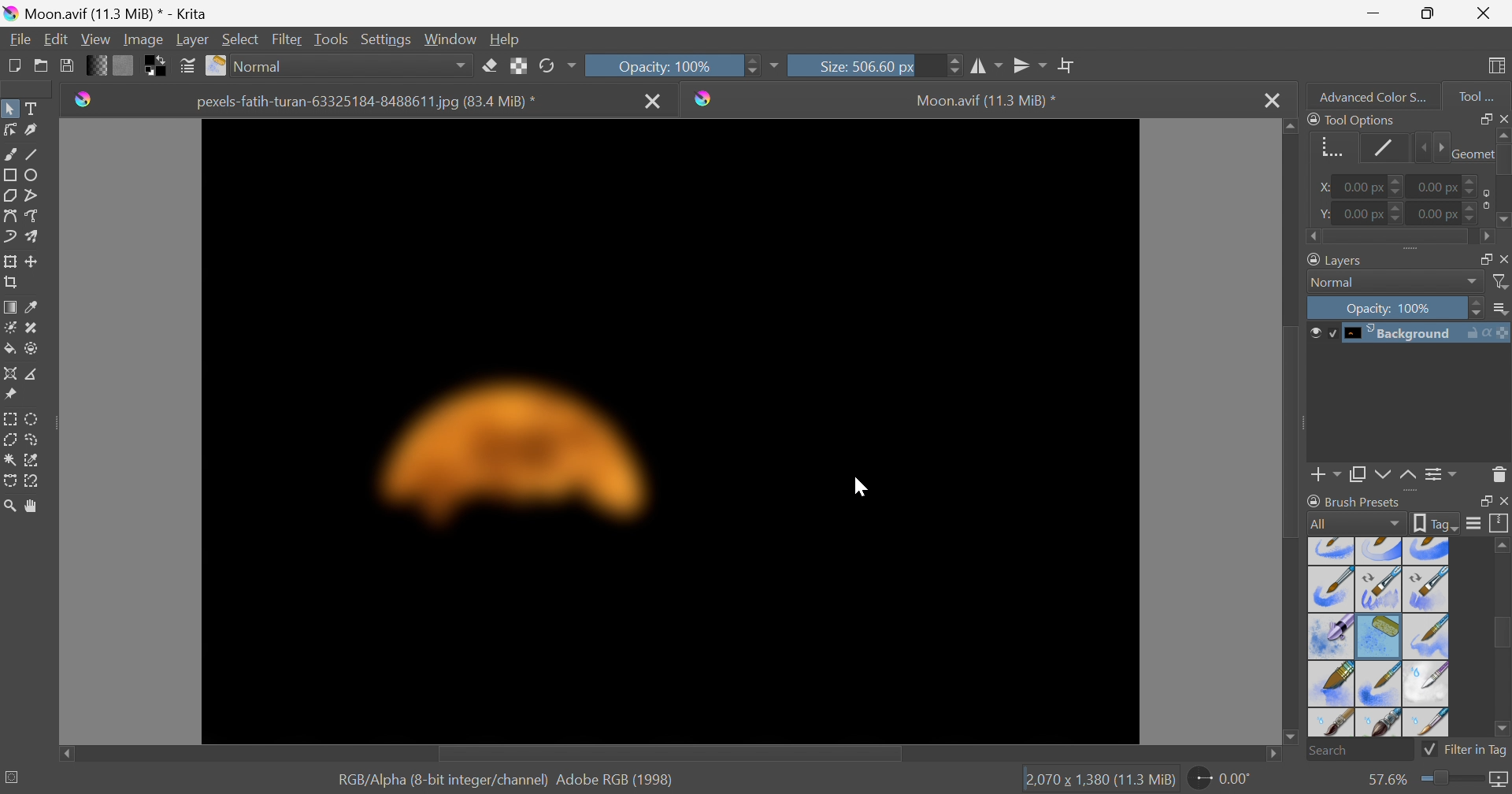 This screenshot has height=794, width=1512. I want to click on Choose workspace, so click(1499, 68).